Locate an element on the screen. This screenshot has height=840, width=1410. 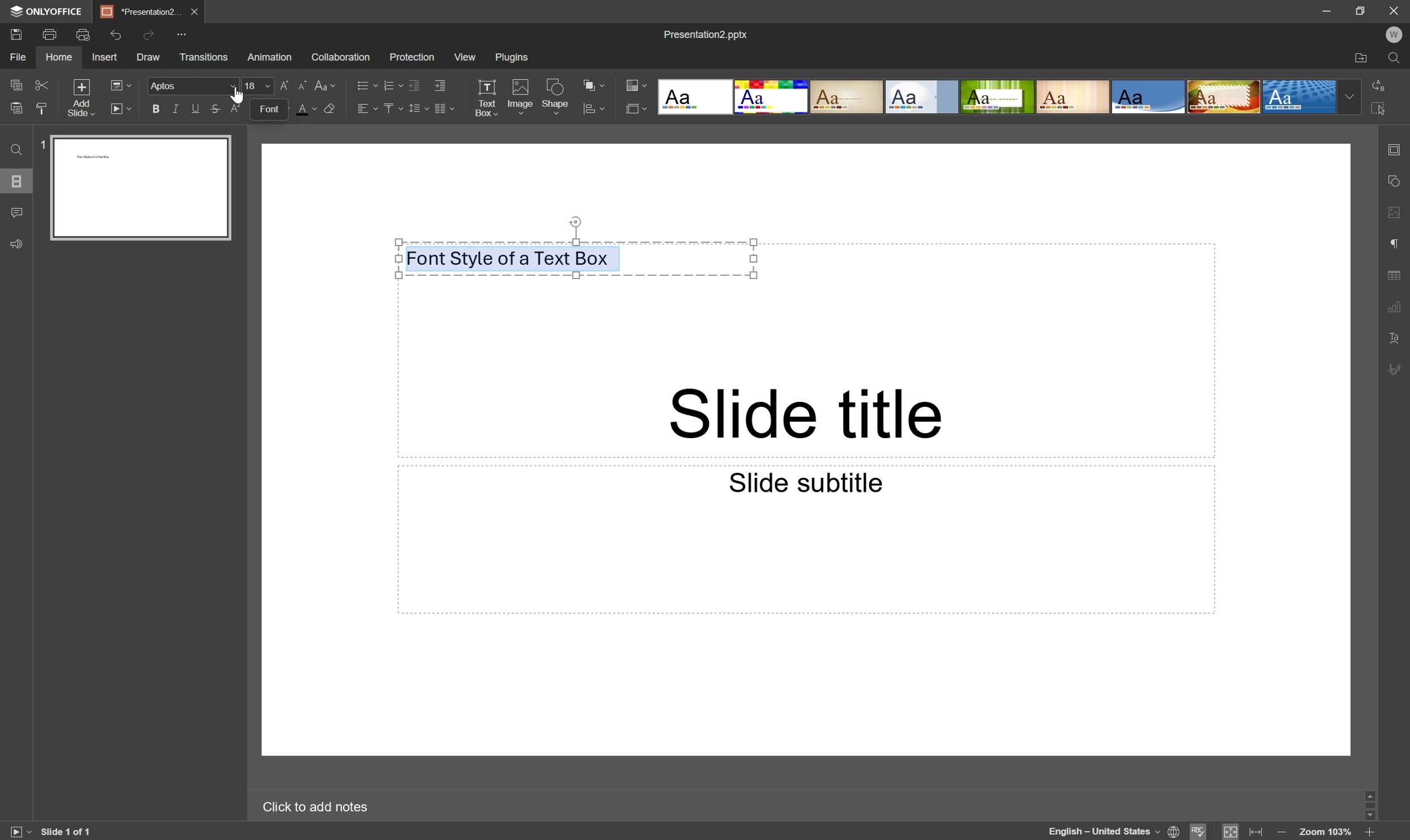
Slide subtitle is located at coordinates (804, 481).